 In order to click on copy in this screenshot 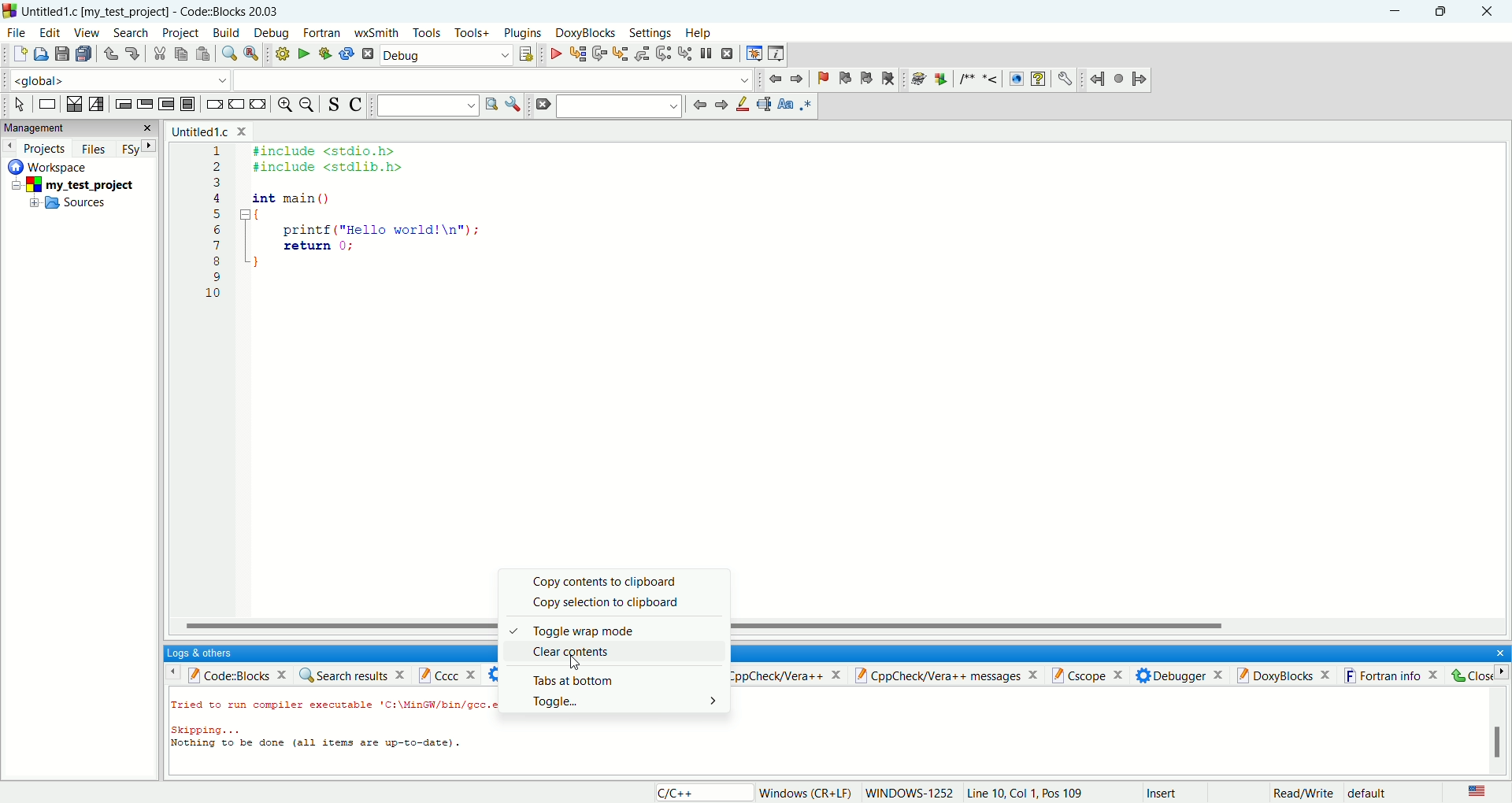, I will do `click(181, 55)`.